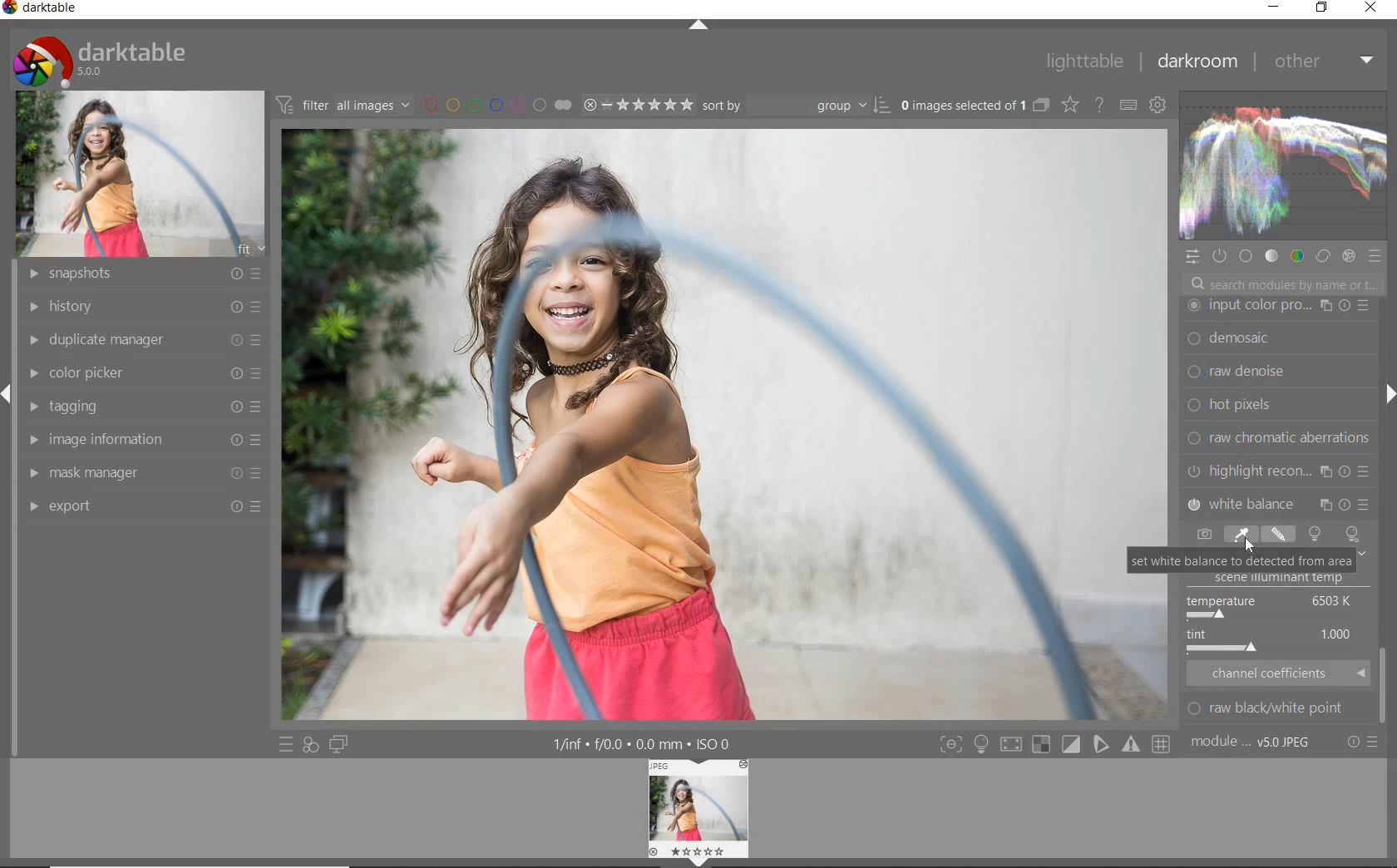 Image resolution: width=1397 pixels, height=868 pixels. Describe the element at coordinates (1040, 106) in the screenshot. I see `collapse grouped images` at that location.